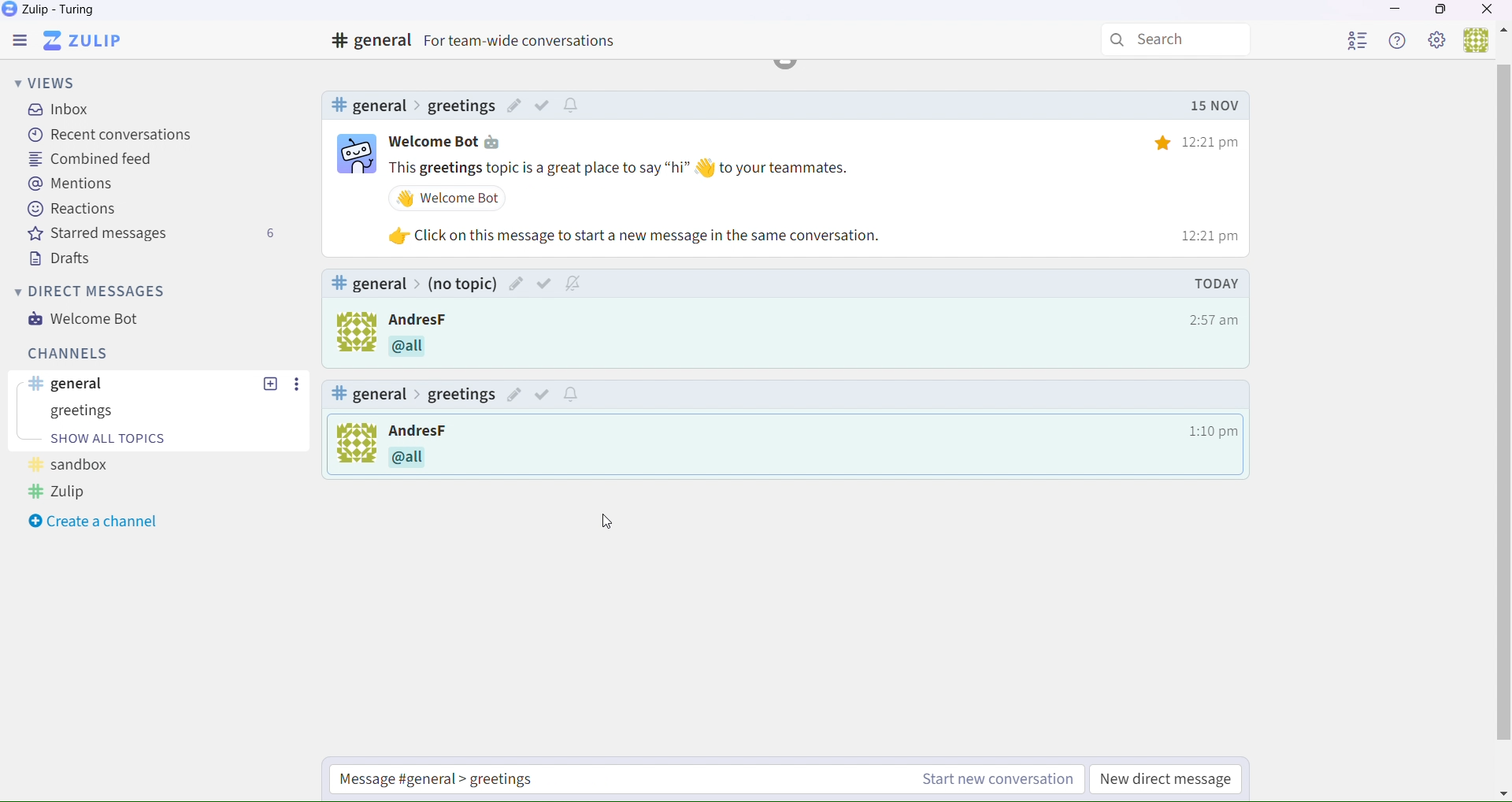 Image resolution: width=1512 pixels, height=802 pixels. Describe the element at coordinates (1177, 40) in the screenshot. I see `Search` at that location.